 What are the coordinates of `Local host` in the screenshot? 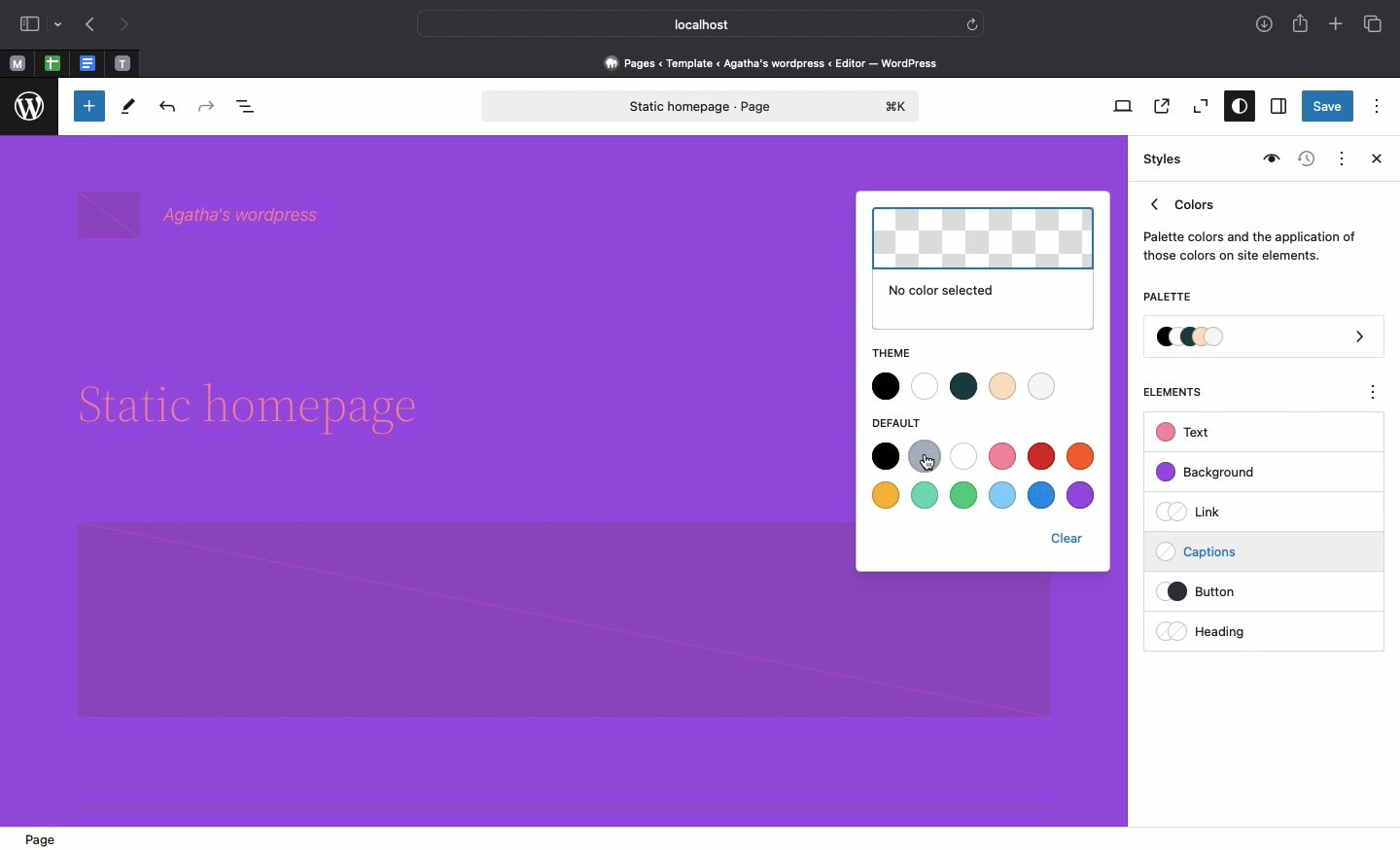 It's located at (686, 23).